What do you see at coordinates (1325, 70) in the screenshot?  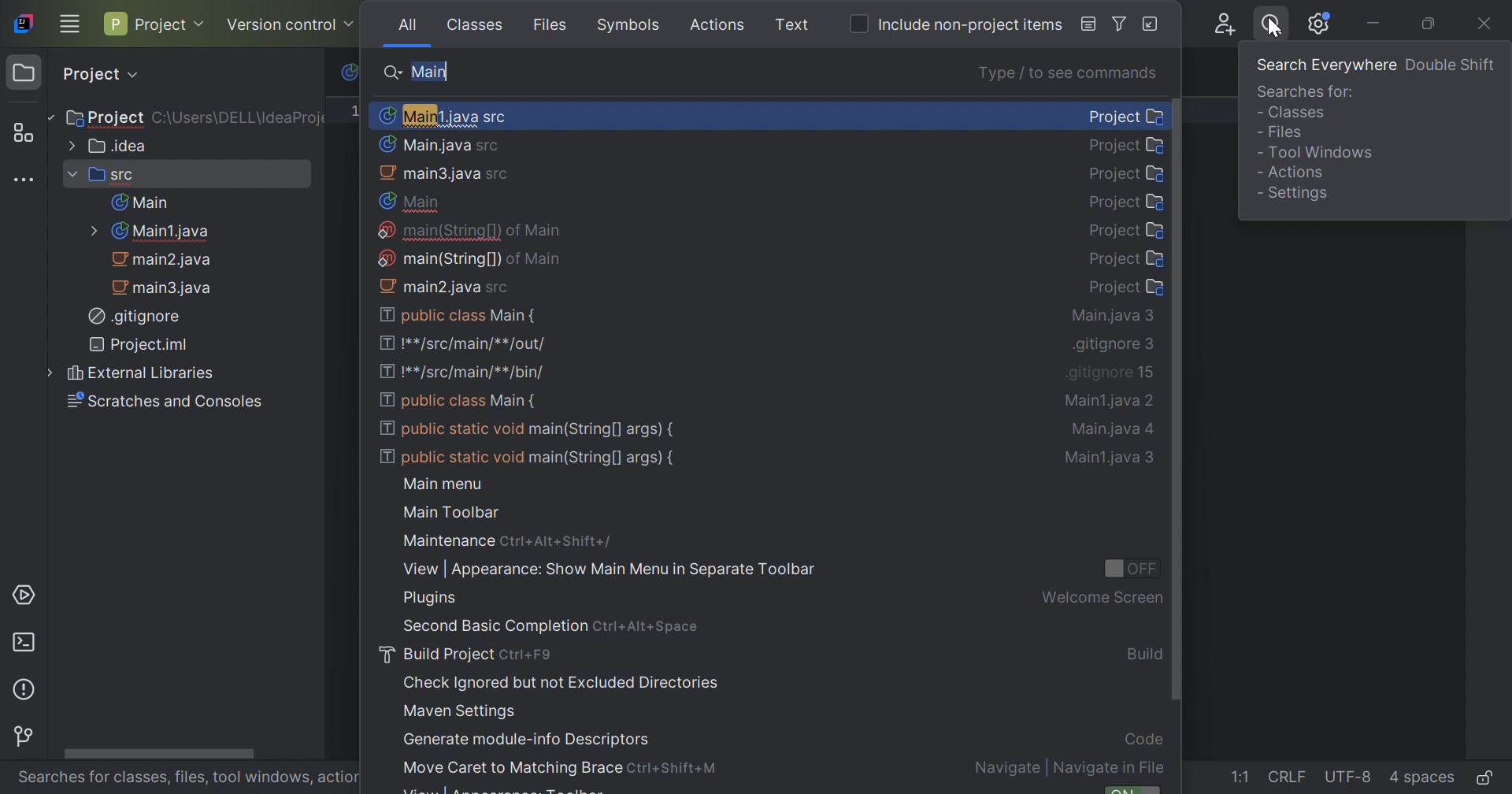 I see `Search everywhere` at bounding box center [1325, 70].